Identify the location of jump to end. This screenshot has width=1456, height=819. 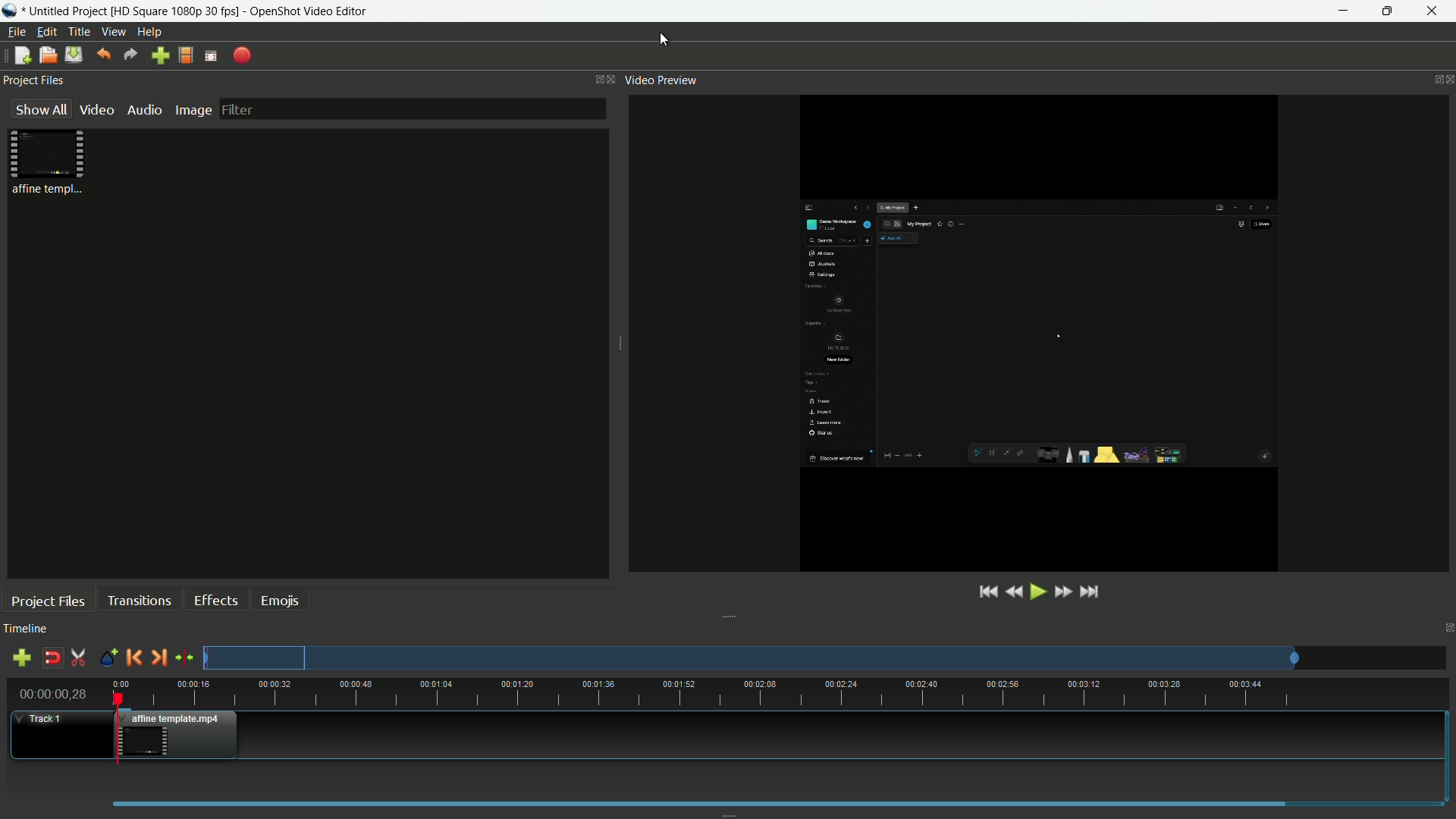
(1091, 592).